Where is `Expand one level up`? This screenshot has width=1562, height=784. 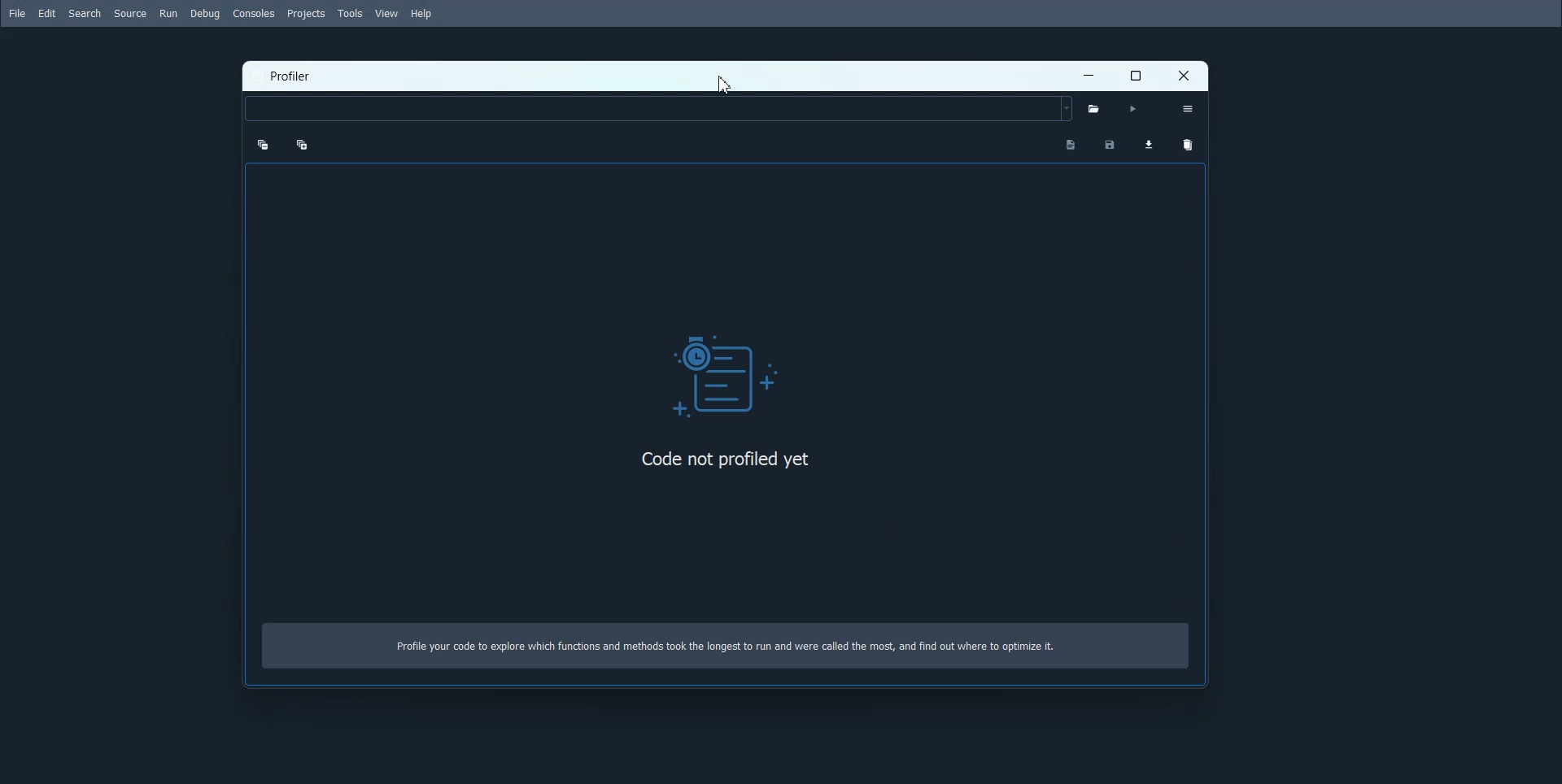
Expand one level up is located at coordinates (301, 144).